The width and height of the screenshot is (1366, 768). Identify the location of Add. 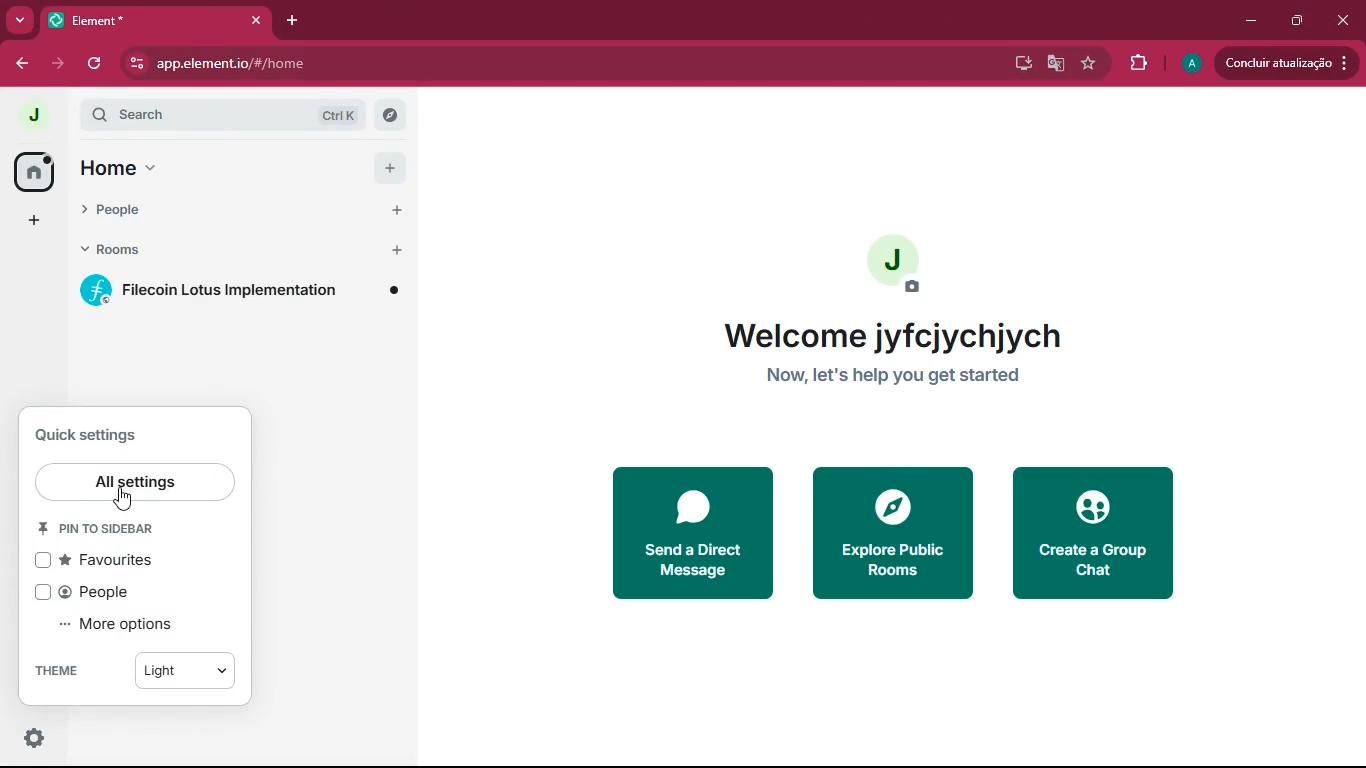
(395, 210).